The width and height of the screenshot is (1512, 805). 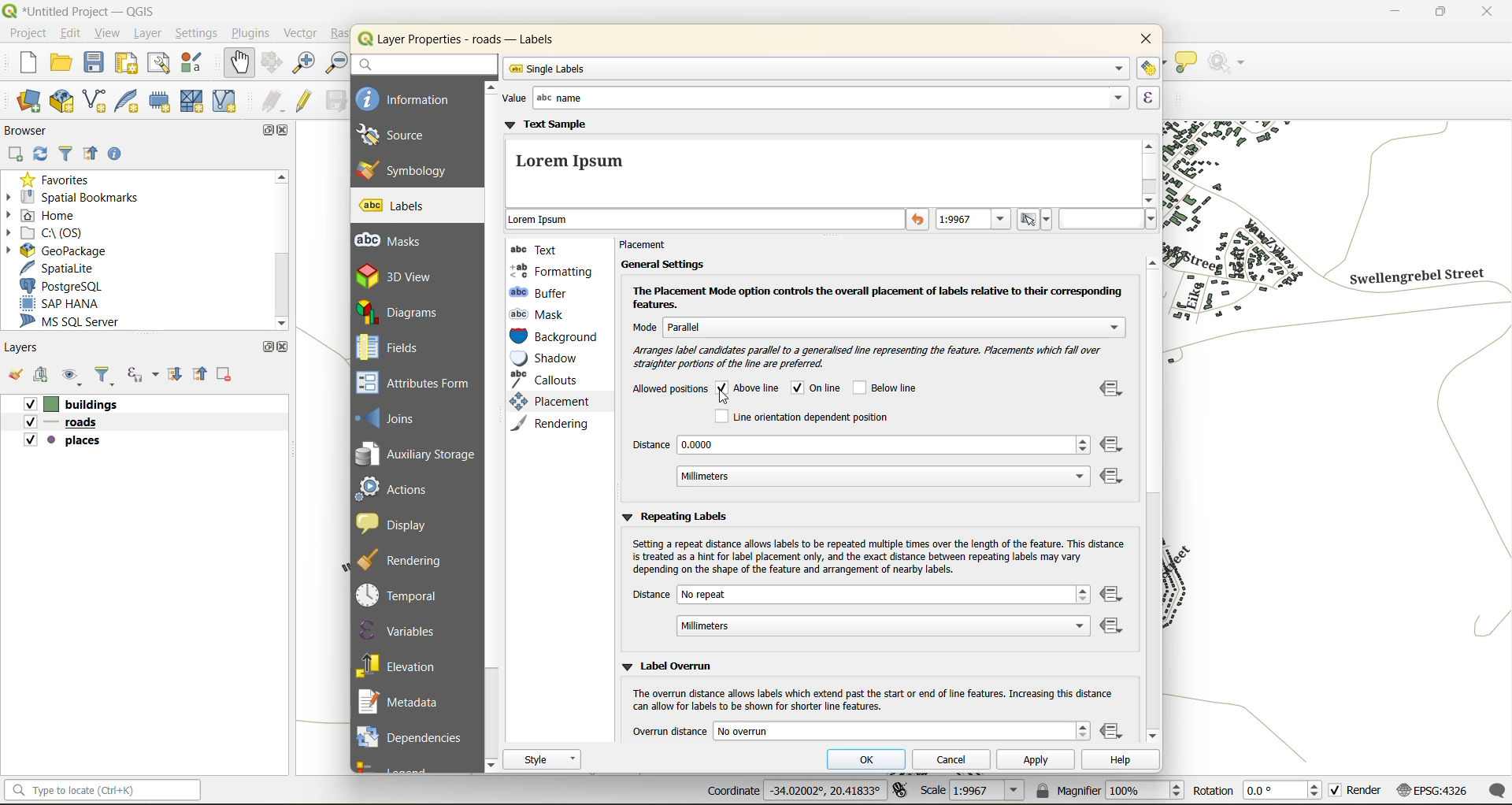 I want to click on mask, so click(x=542, y=314).